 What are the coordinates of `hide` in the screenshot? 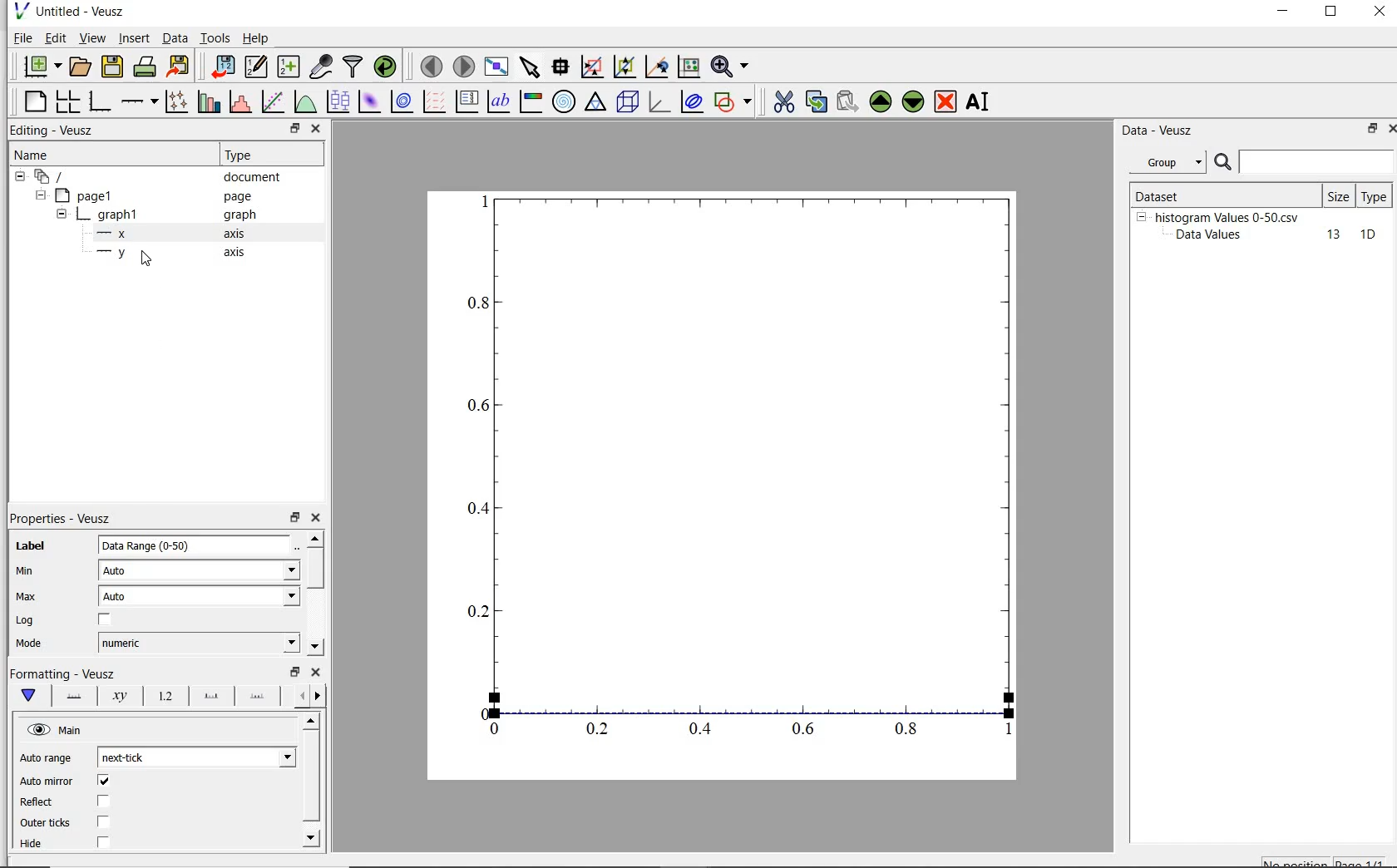 It's located at (62, 215).